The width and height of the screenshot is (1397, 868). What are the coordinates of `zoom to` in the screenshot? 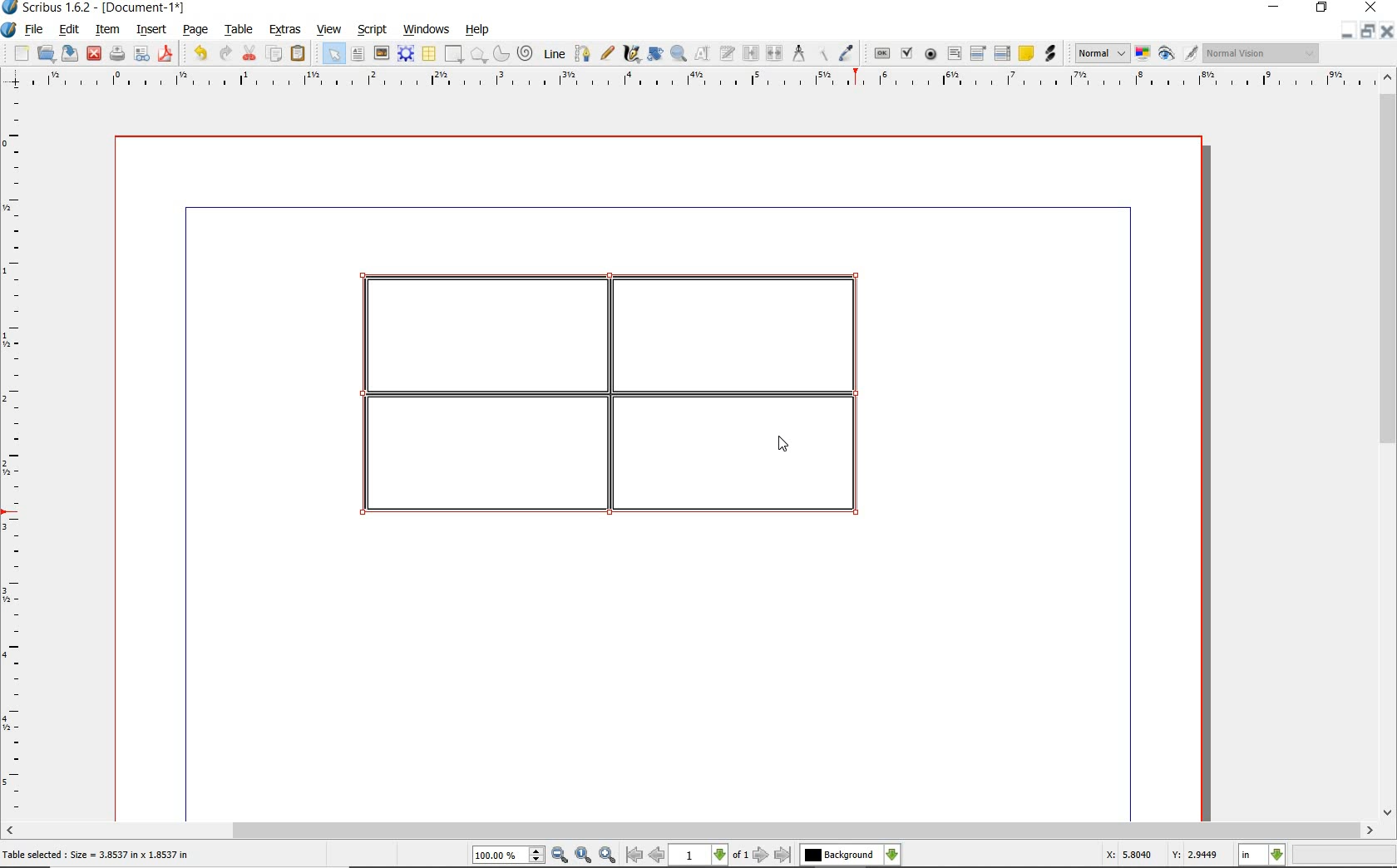 It's located at (583, 856).